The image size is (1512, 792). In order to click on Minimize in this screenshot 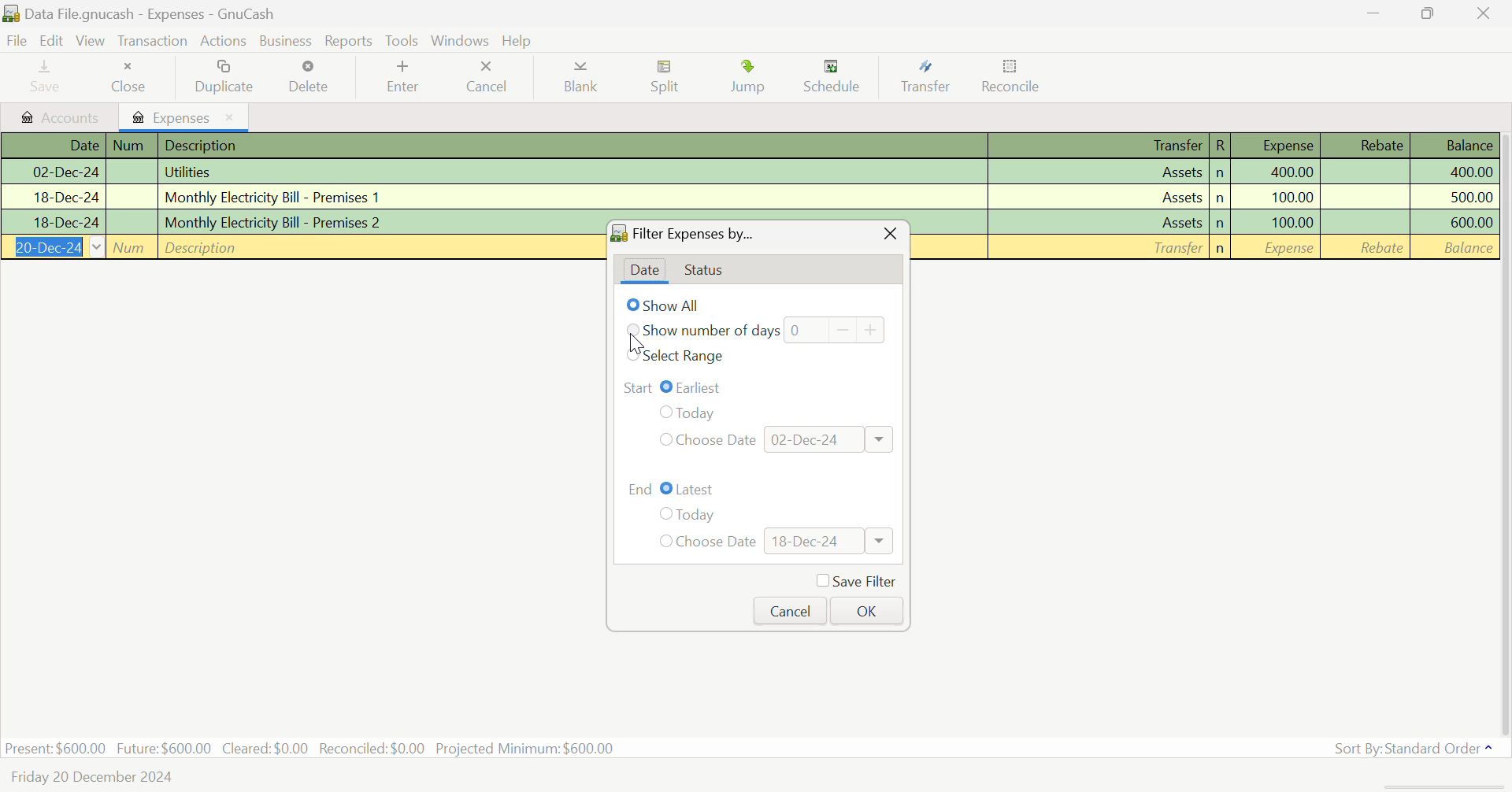, I will do `click(1431, 15)`.